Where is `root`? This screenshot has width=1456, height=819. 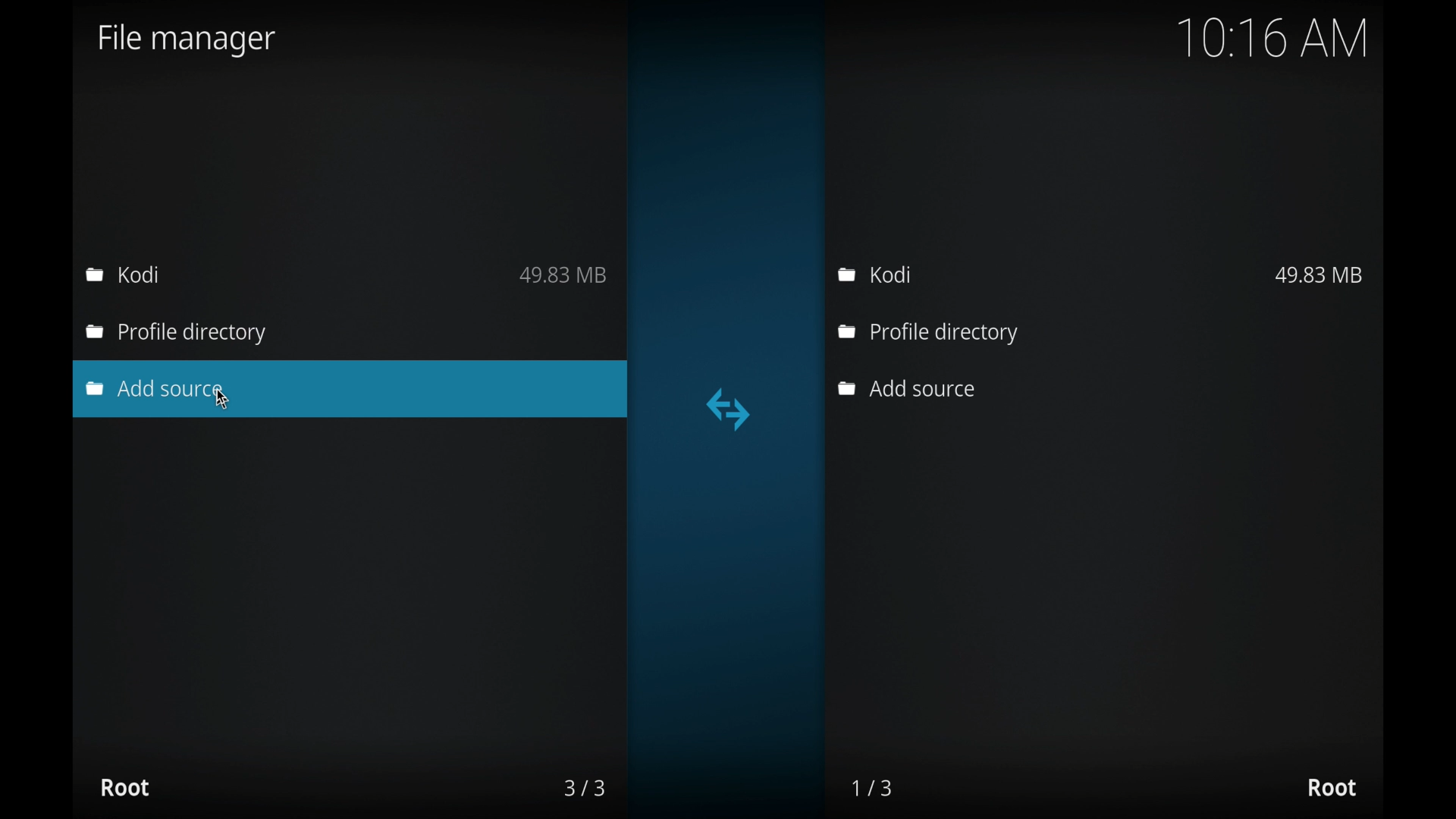 root is located at coordinates (124, 787).